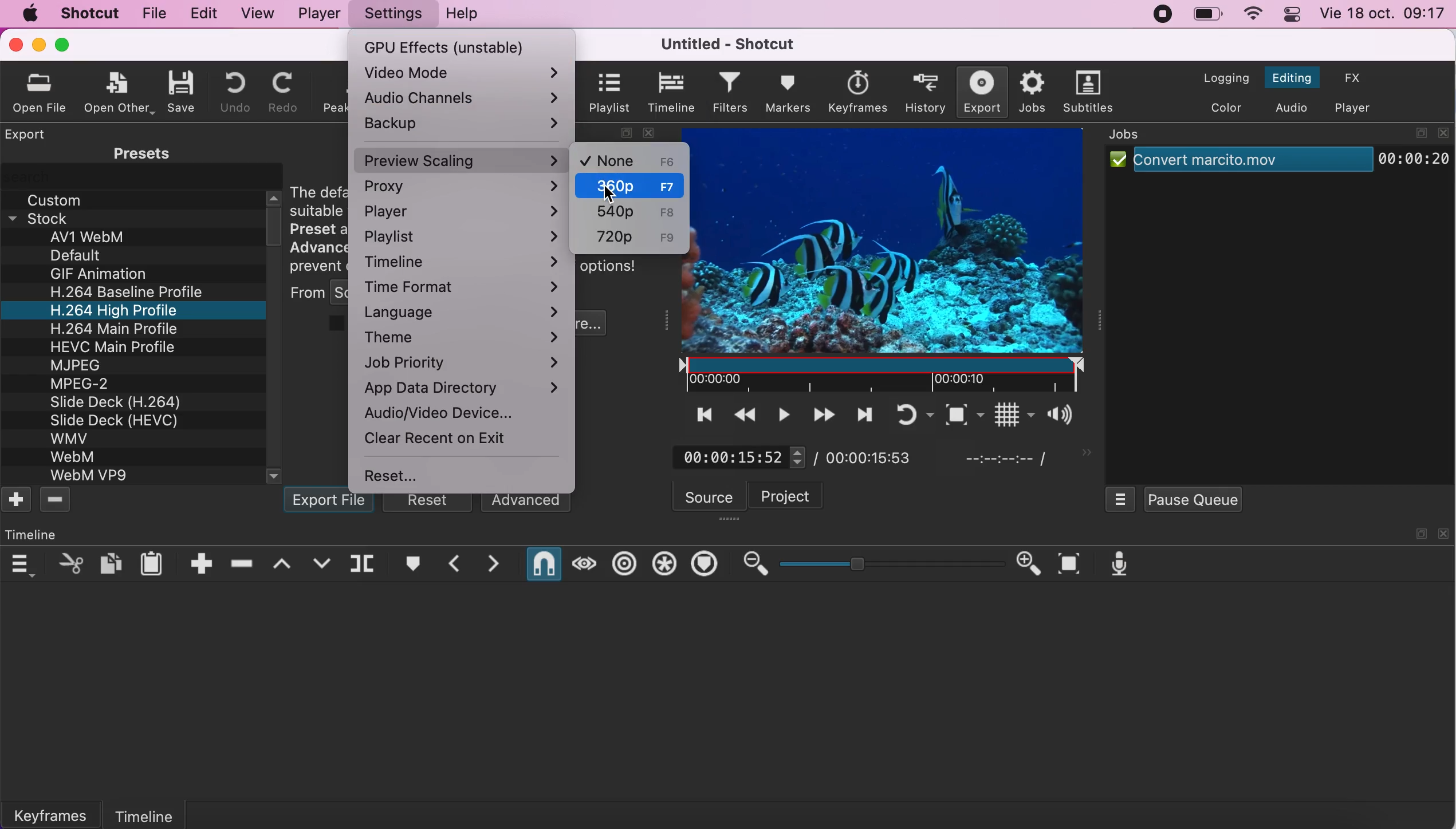 This screenshot has height=829, width=1456. Describe the element at coordinates (26, 134) in the screenshot. I see `export panel` at that location.